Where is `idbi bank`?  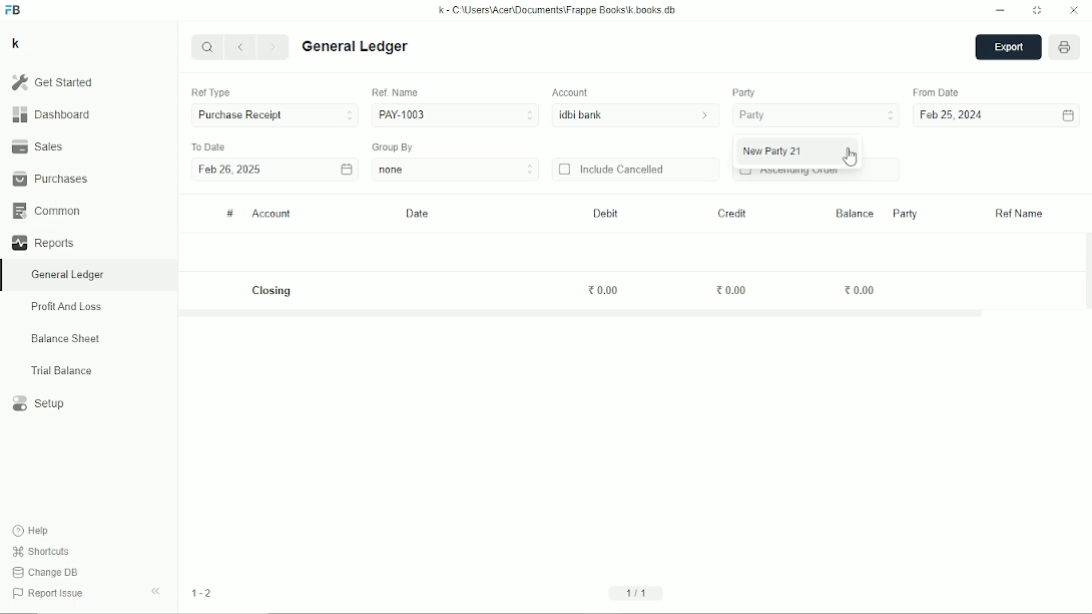 idbi bank is located at coordinates (637, 116).